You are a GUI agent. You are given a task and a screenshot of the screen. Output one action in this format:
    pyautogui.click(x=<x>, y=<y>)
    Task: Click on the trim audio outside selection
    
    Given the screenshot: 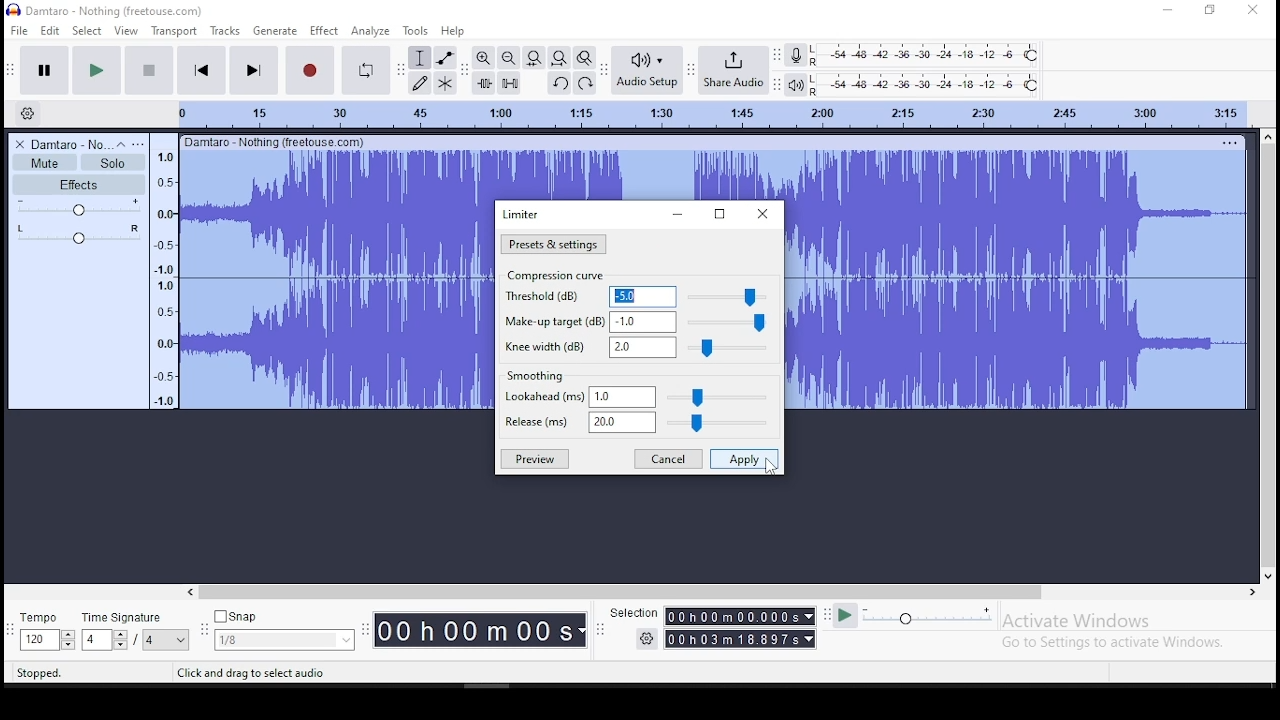 What is the action you would take?
    pyautogui.click(x=483, y=82)
    